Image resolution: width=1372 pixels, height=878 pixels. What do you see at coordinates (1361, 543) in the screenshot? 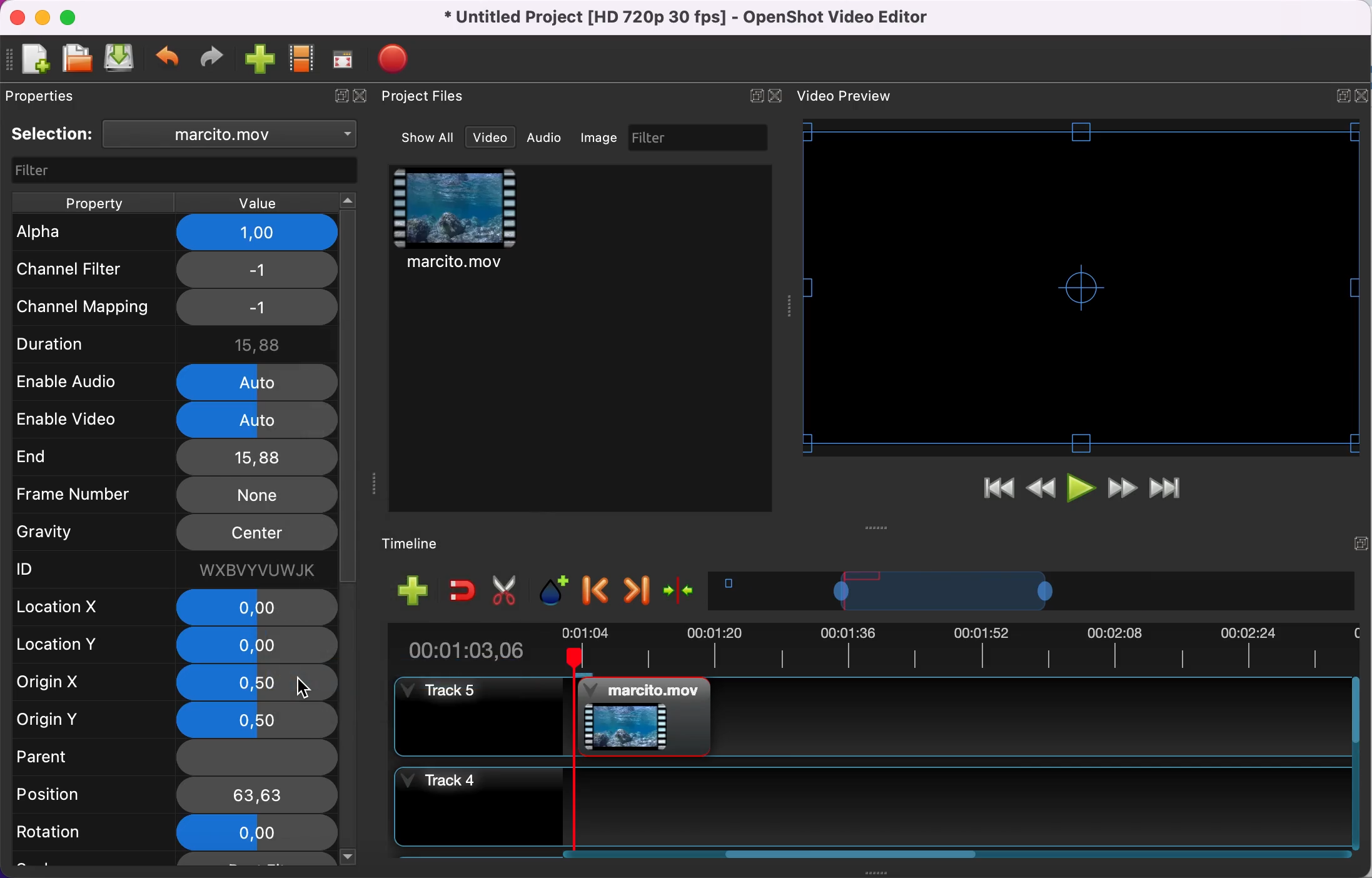
I see `Expand/Collapse` at bounding box center [1361, 543].